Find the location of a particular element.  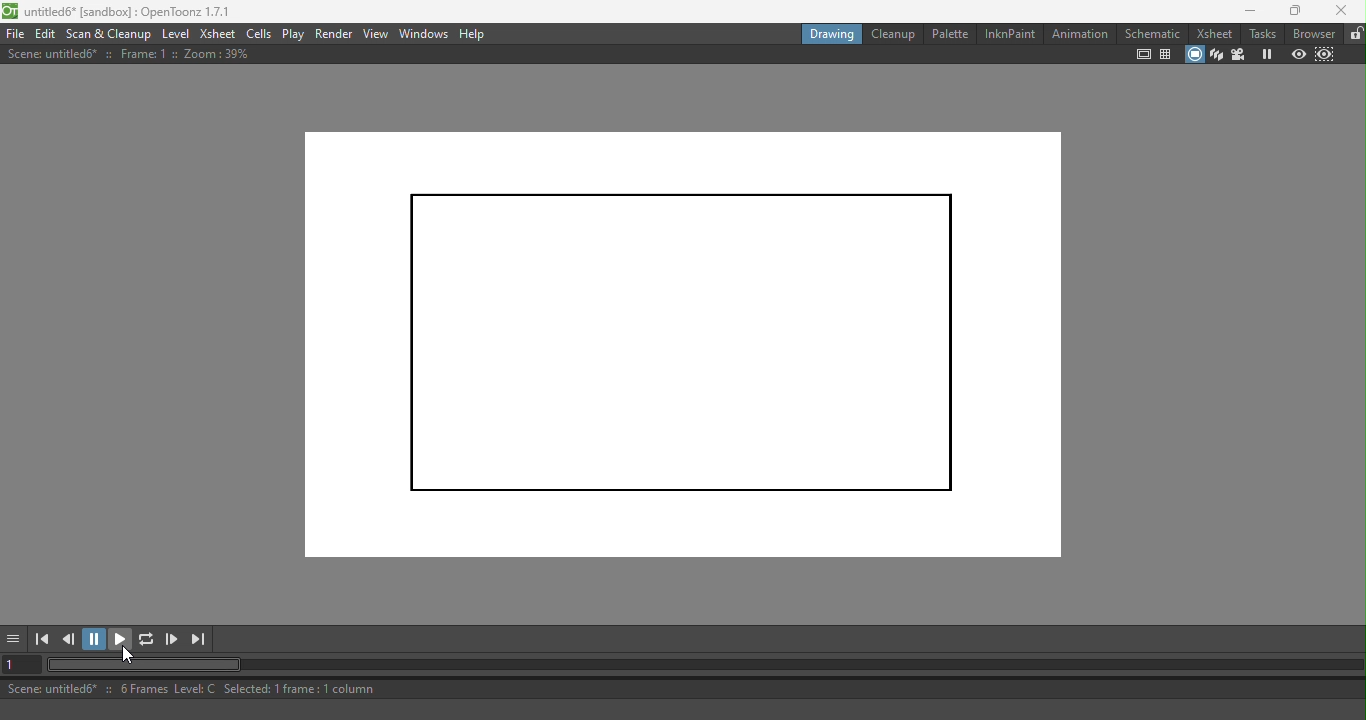

Minimize is located at coordinates (1240, 11).